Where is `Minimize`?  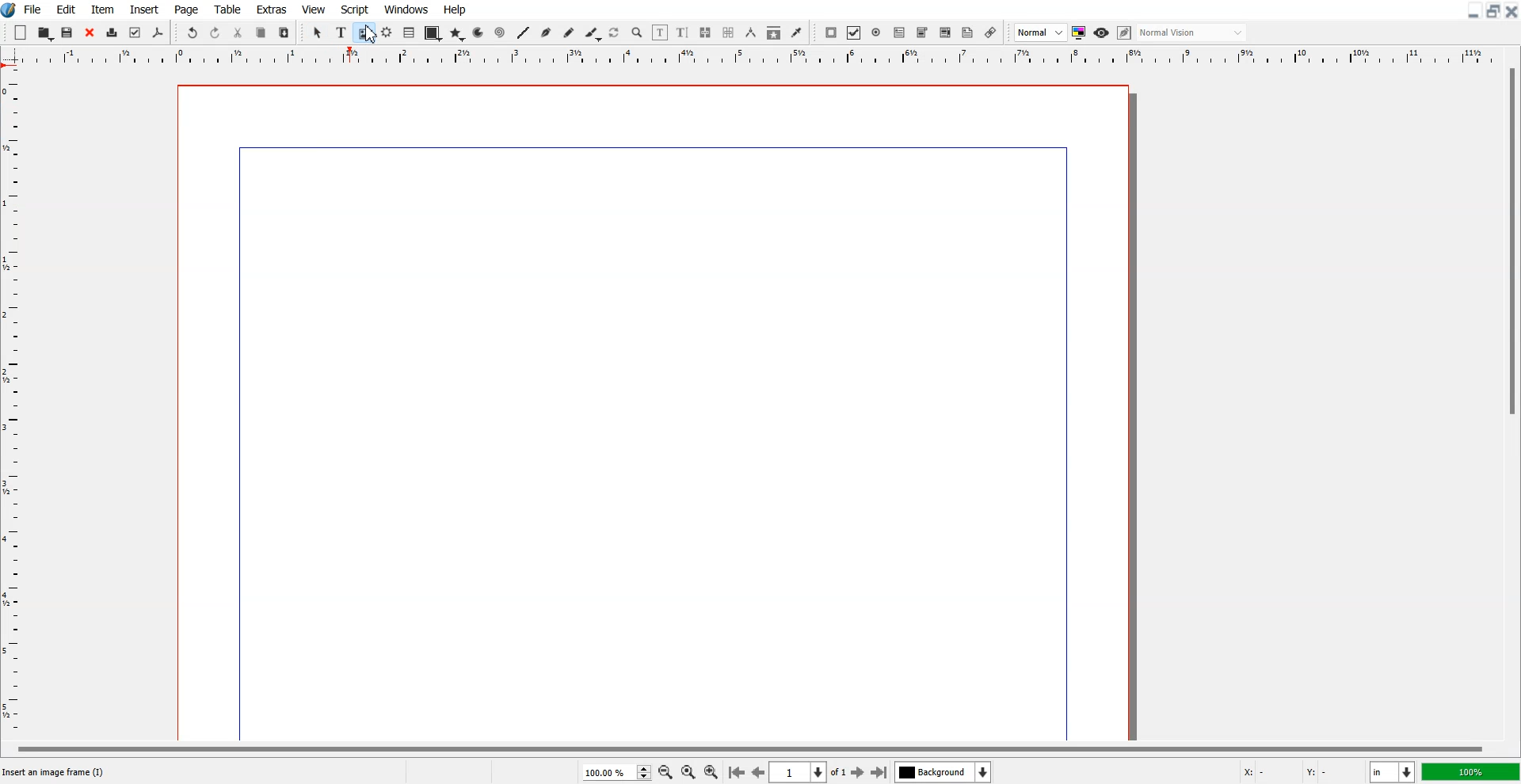 Minimize is located at coordinates (1472, 11).